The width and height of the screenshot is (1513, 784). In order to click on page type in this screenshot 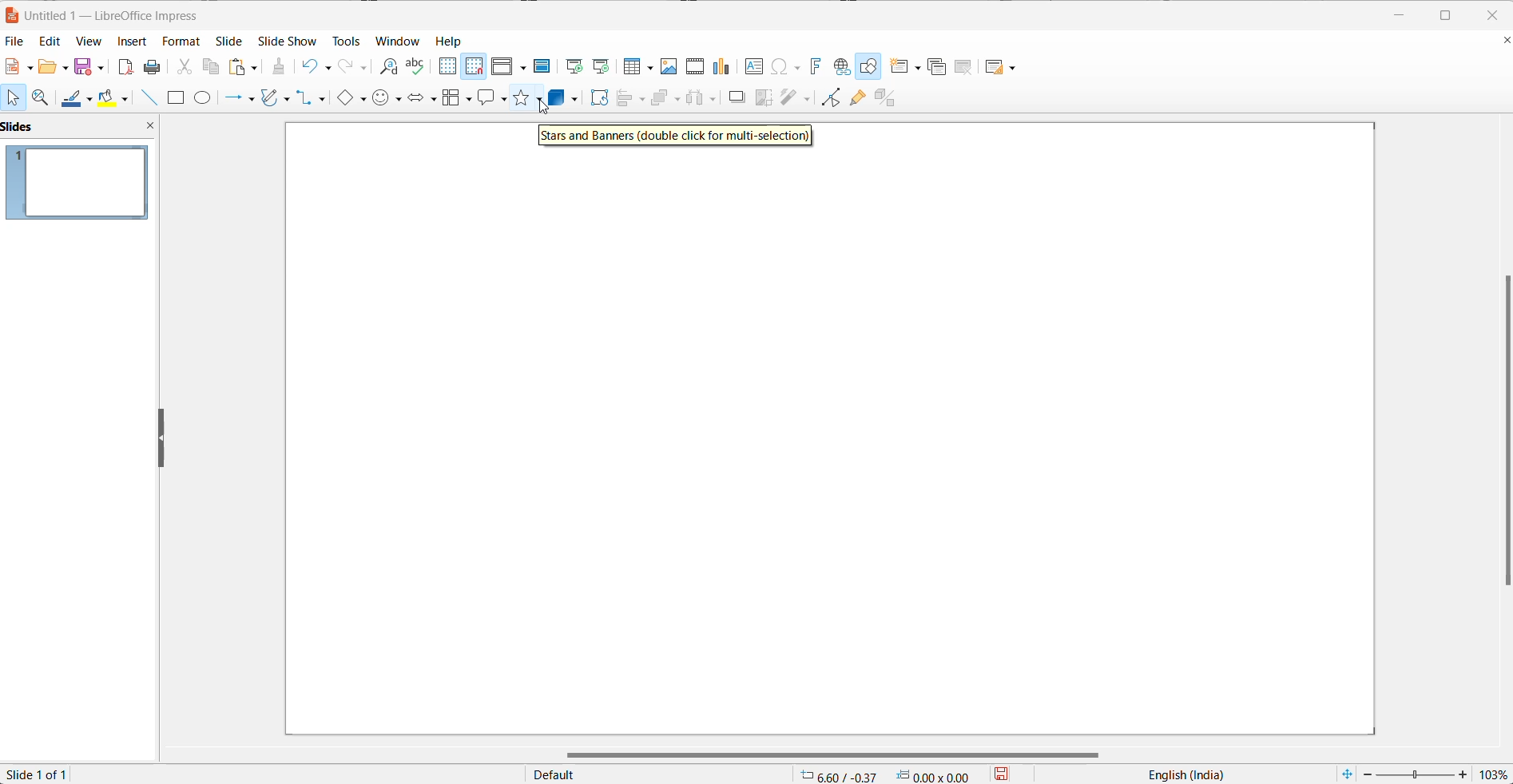, I will do `click(657, 775)`.